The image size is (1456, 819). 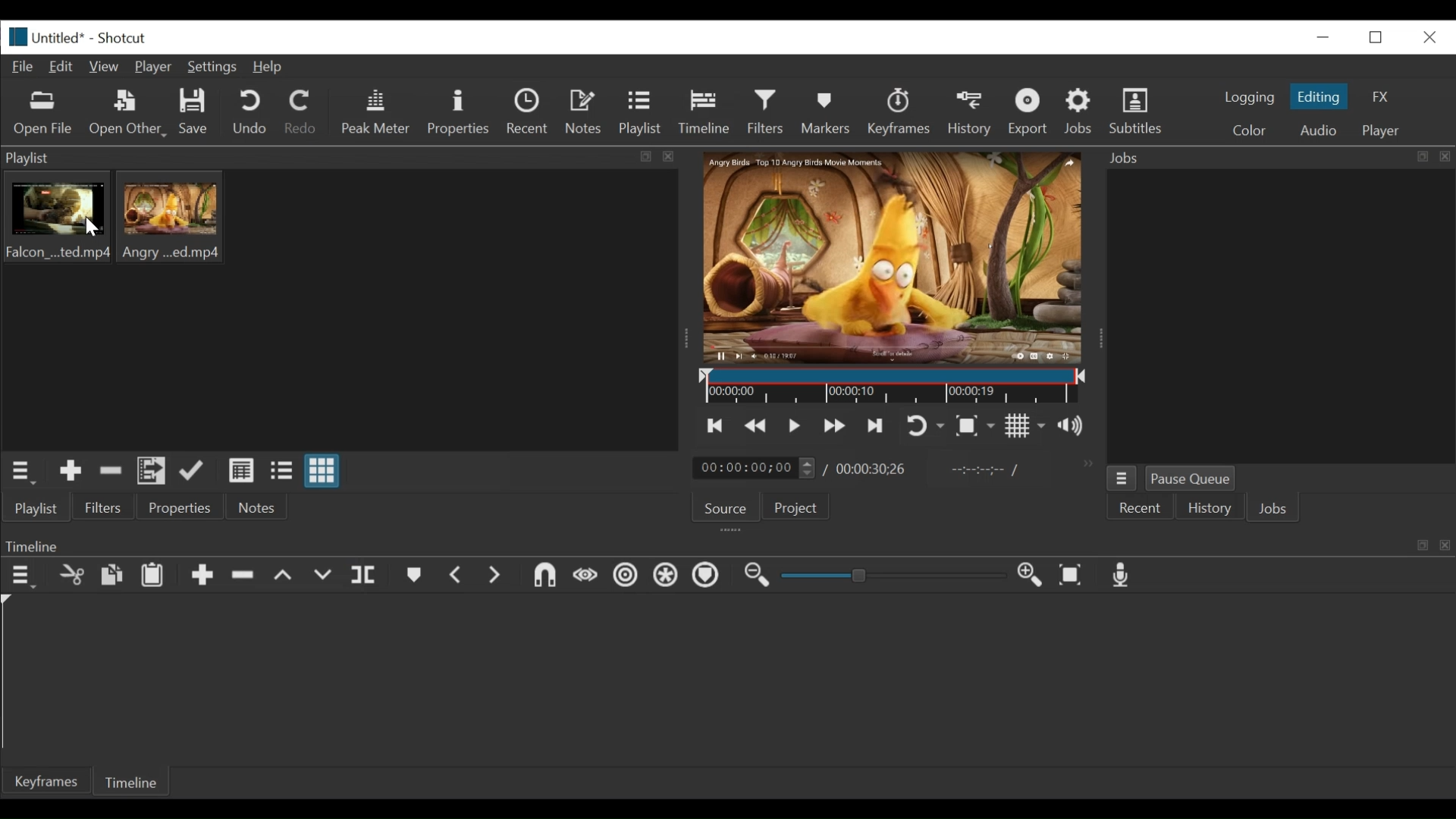 What do you see at coordinates (1323, 36) in the screenshot?
I see `minimize` at bounding box center [1323, 36].